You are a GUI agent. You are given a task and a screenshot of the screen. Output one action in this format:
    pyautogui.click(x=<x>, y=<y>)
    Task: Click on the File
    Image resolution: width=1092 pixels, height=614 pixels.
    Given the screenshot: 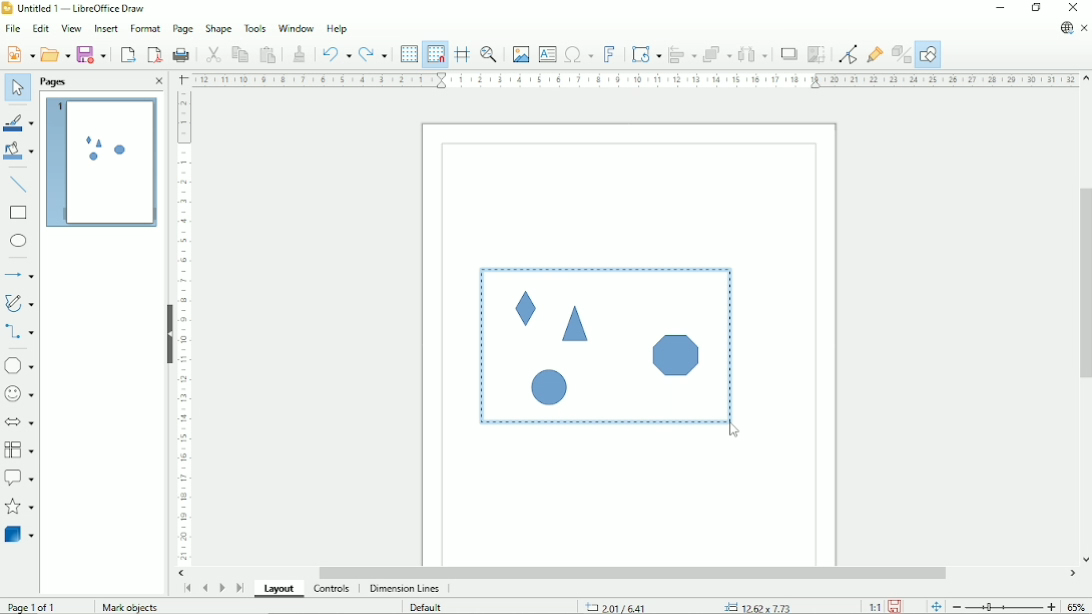 What is the action you would take?
    pyautogui.click(x=12, y=28)
    